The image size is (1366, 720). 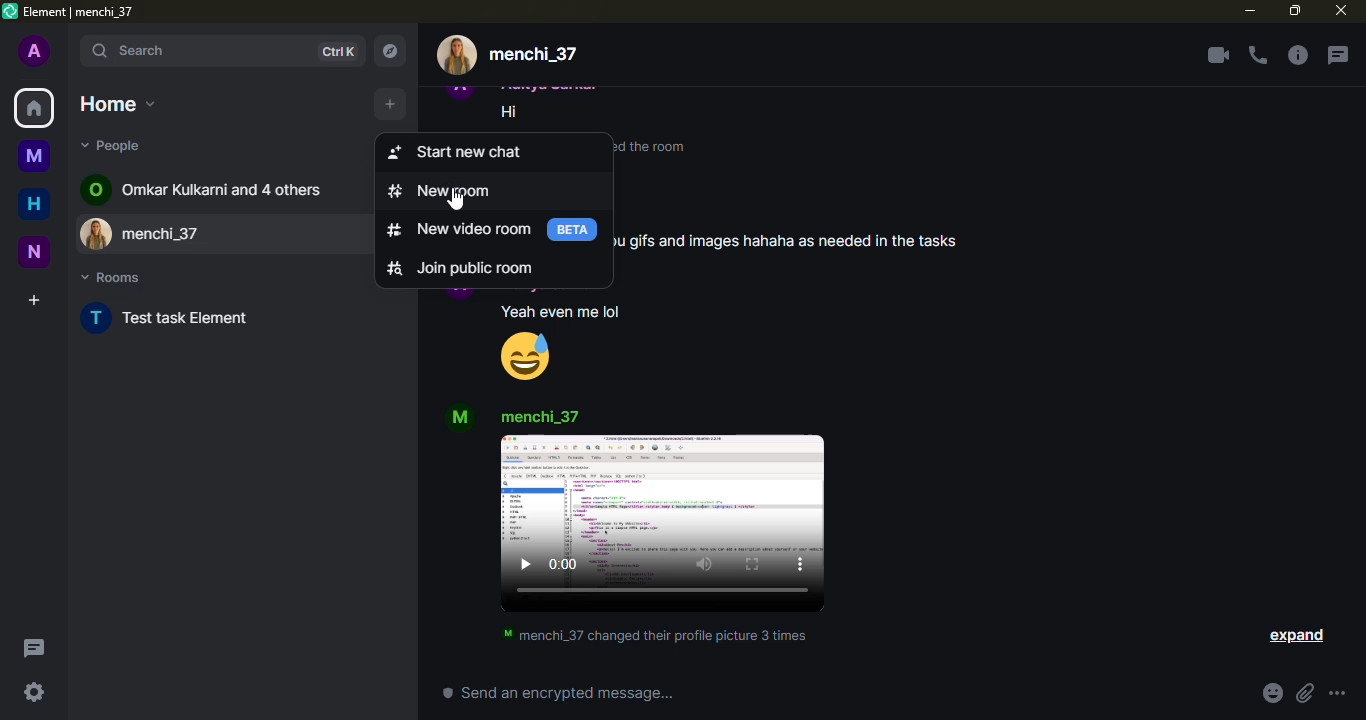 I want to click on Insert emoji, so click(x=1273, y=693).